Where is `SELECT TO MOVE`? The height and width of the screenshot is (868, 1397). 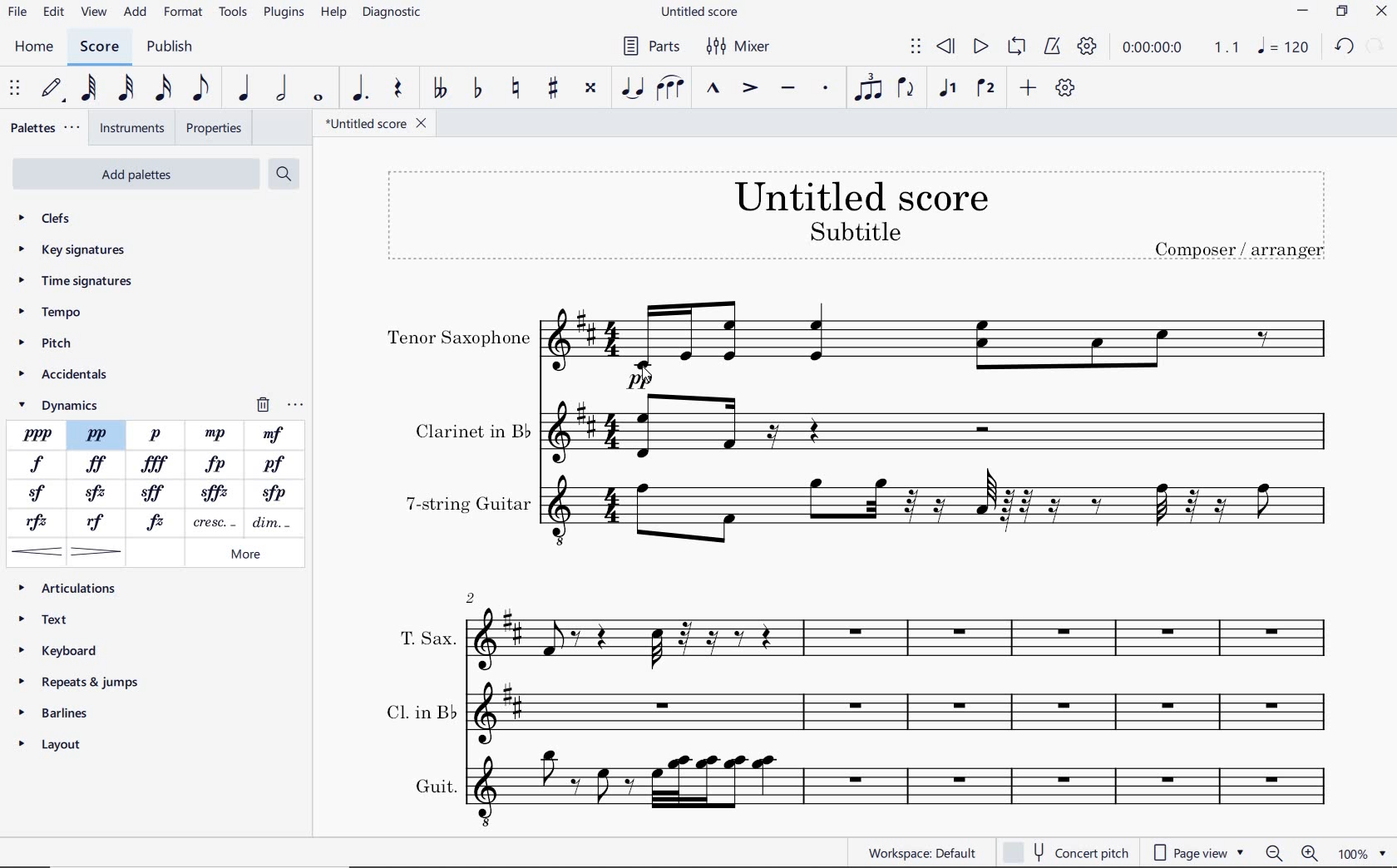 SELECT TO MOVE is located at coordinates (919, 47).